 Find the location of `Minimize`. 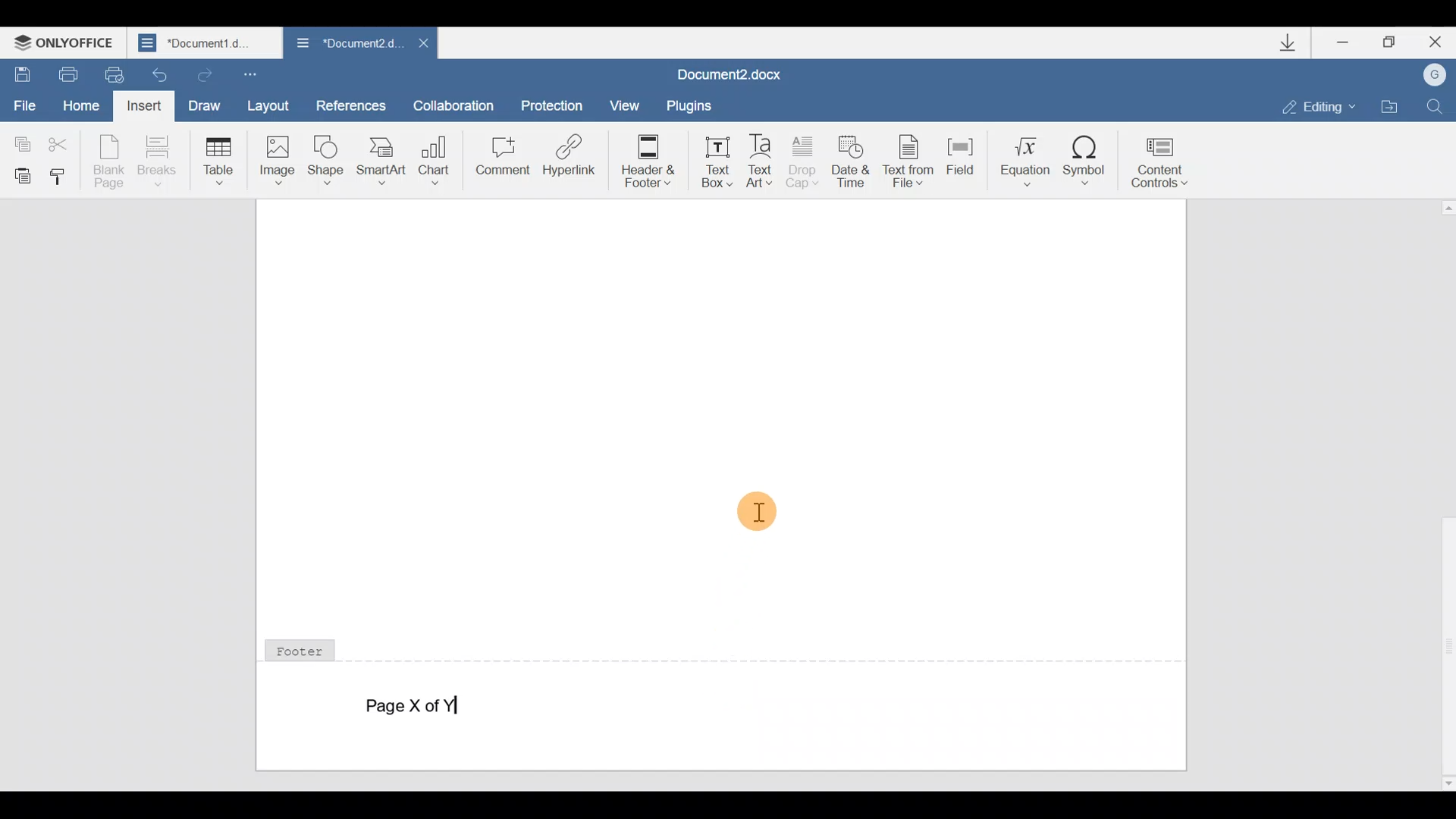

Minimize is located at coordinates (1338, 44).